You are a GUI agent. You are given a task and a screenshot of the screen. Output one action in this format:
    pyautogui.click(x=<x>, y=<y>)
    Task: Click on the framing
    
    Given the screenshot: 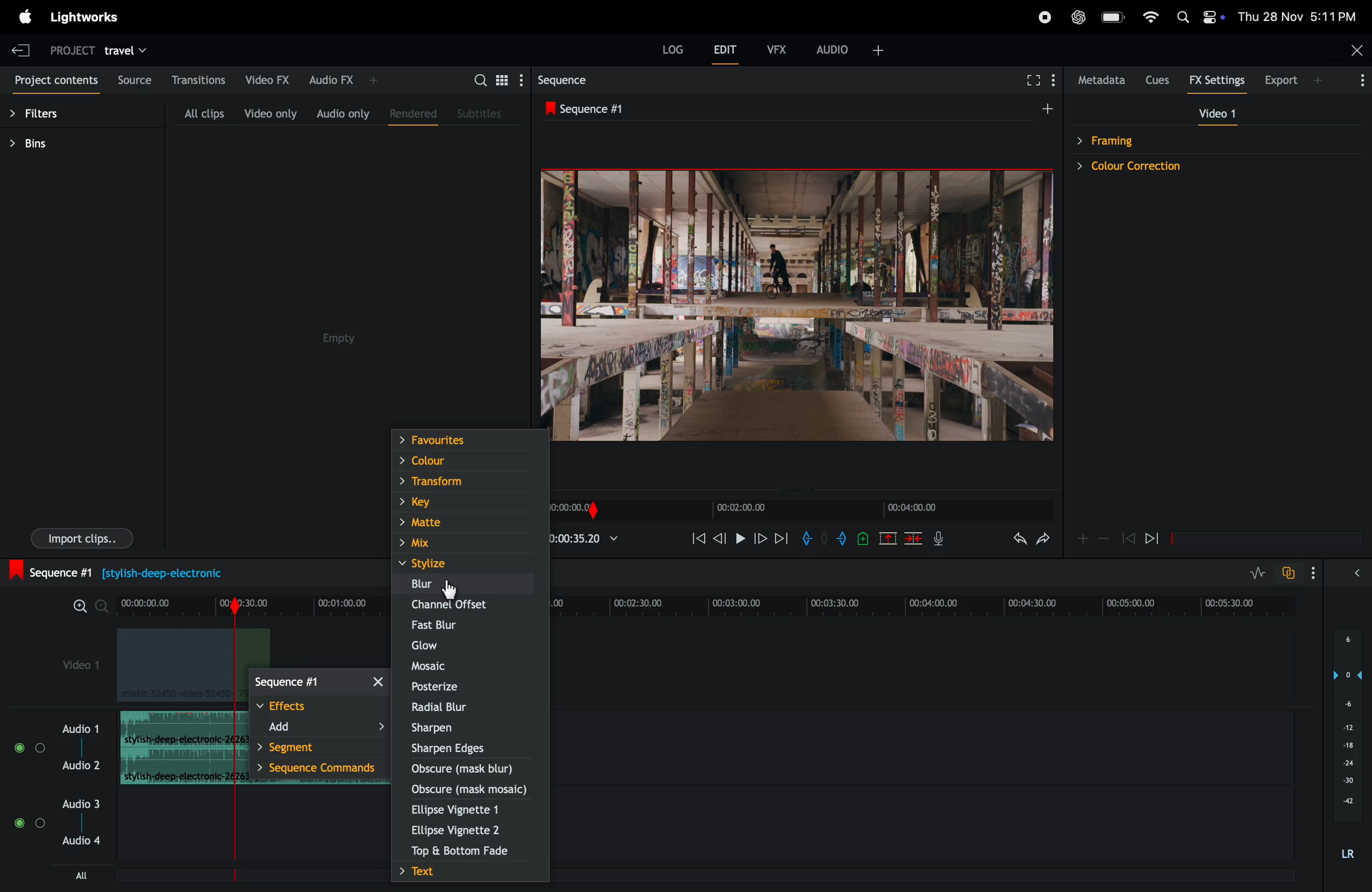 What is the action you would take?
    pyautogui.click(x=1156, y=139)
    